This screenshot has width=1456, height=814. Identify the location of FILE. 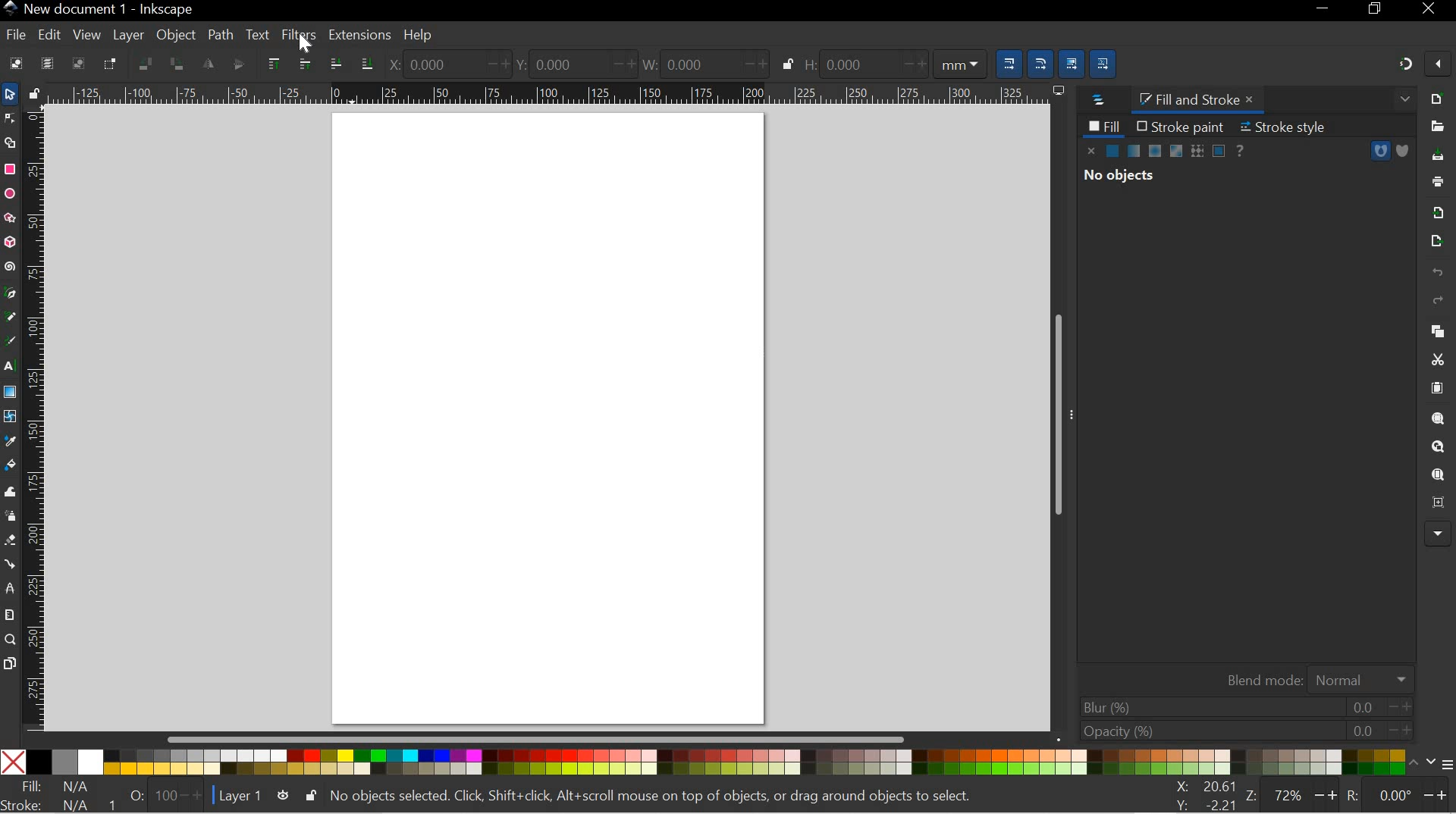
(13, 36).